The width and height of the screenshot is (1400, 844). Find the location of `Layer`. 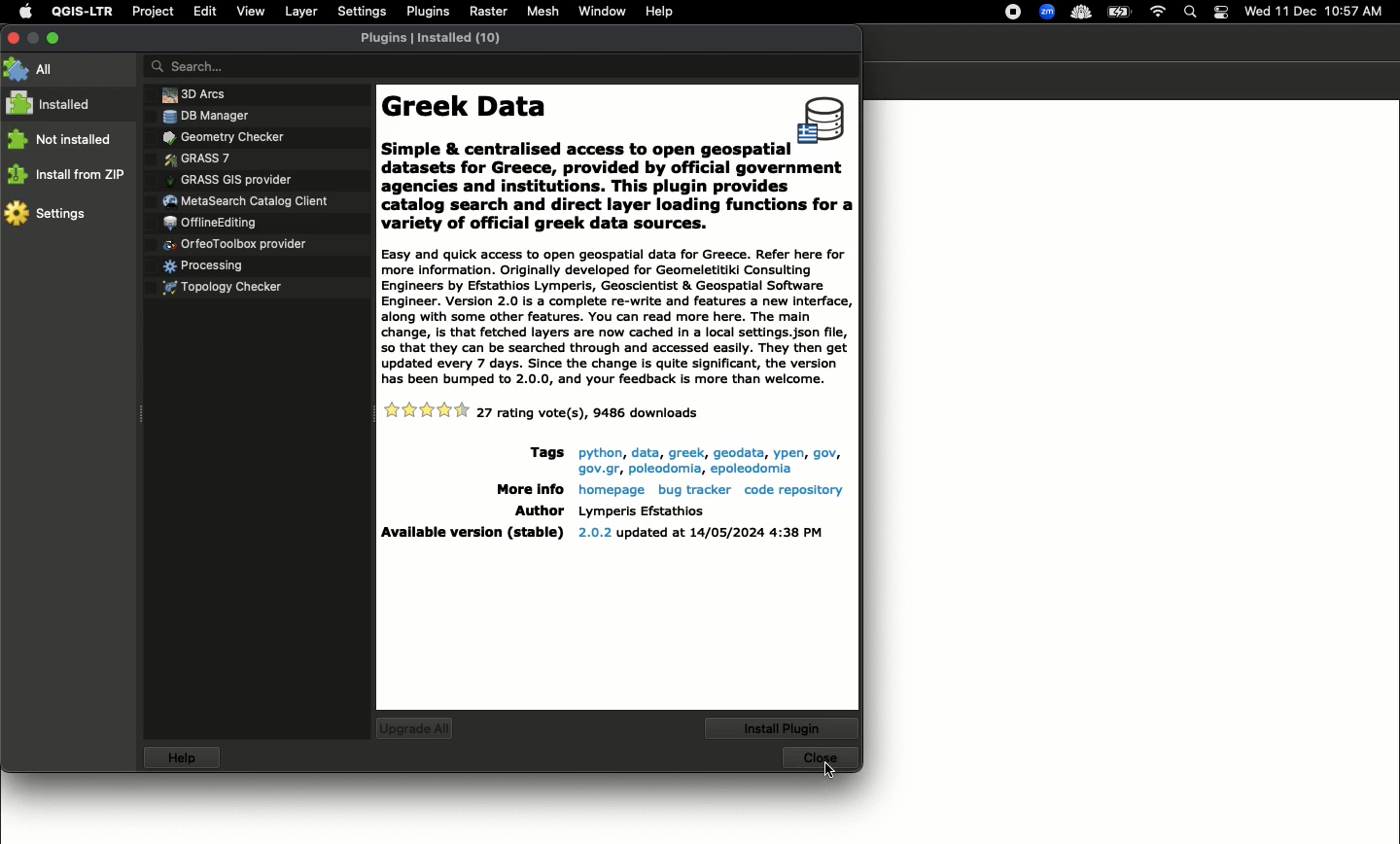

Layer is located at coordinates (300, 12).